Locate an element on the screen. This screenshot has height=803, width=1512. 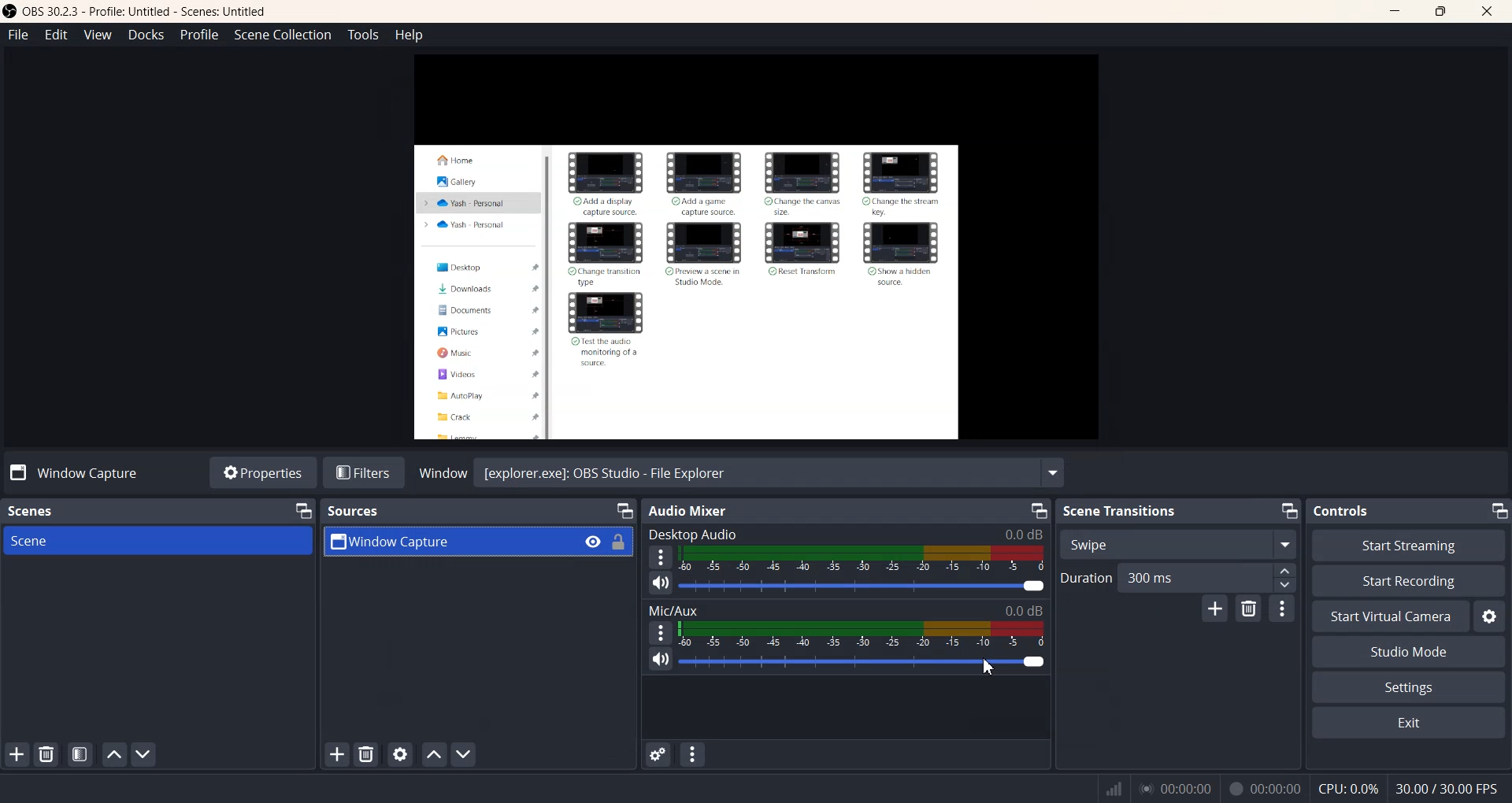
CPU:0.3% is located at coordinates (1347, 787).